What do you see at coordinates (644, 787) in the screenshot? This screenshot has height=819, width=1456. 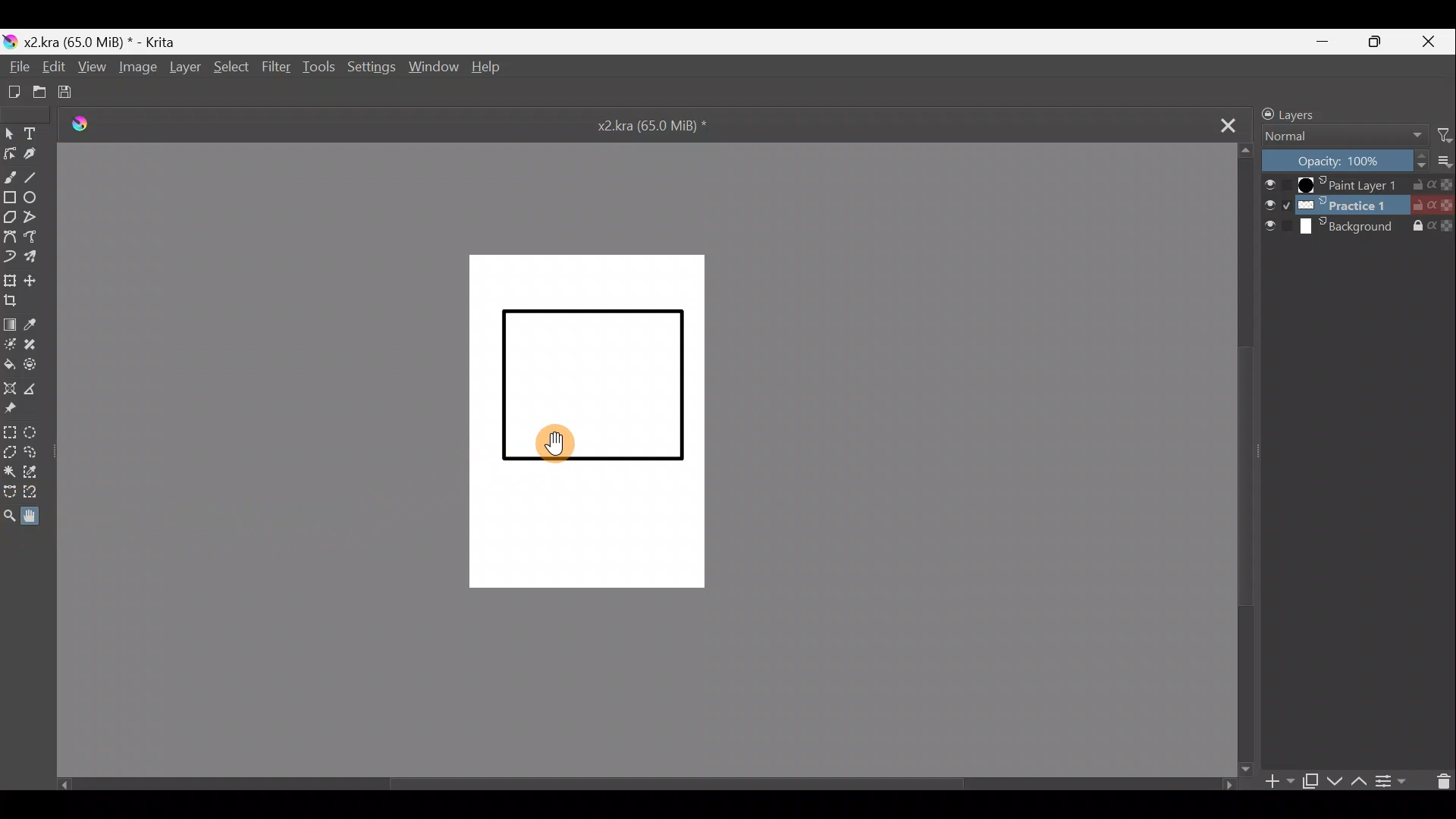 I see `Scroll bar` at bounding box center [644, 787].